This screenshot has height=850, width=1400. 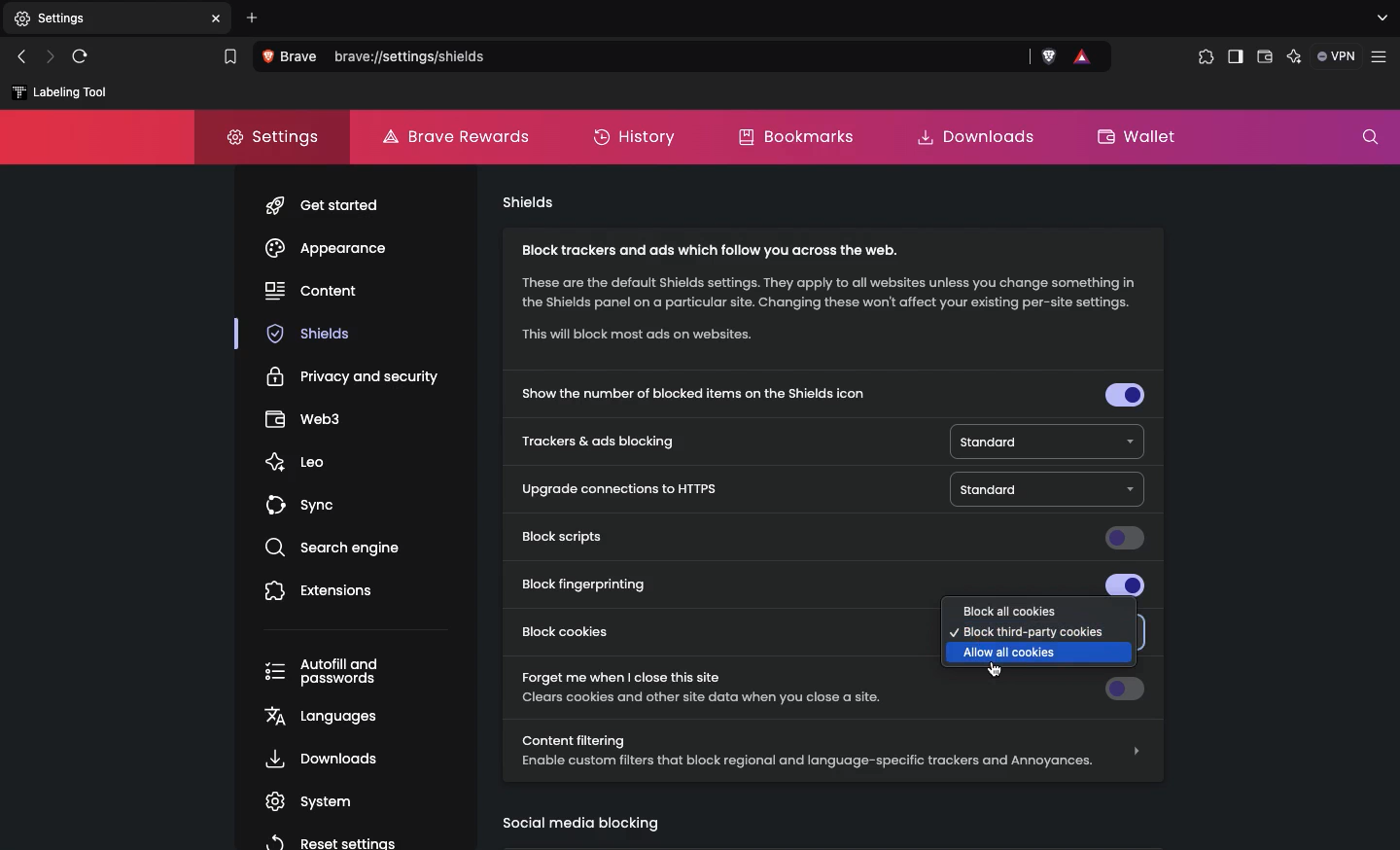 What do you see at coordinates (1005, 611) in the screenshot?
I see `Block all cookies` at bounding box center [1005, 611].